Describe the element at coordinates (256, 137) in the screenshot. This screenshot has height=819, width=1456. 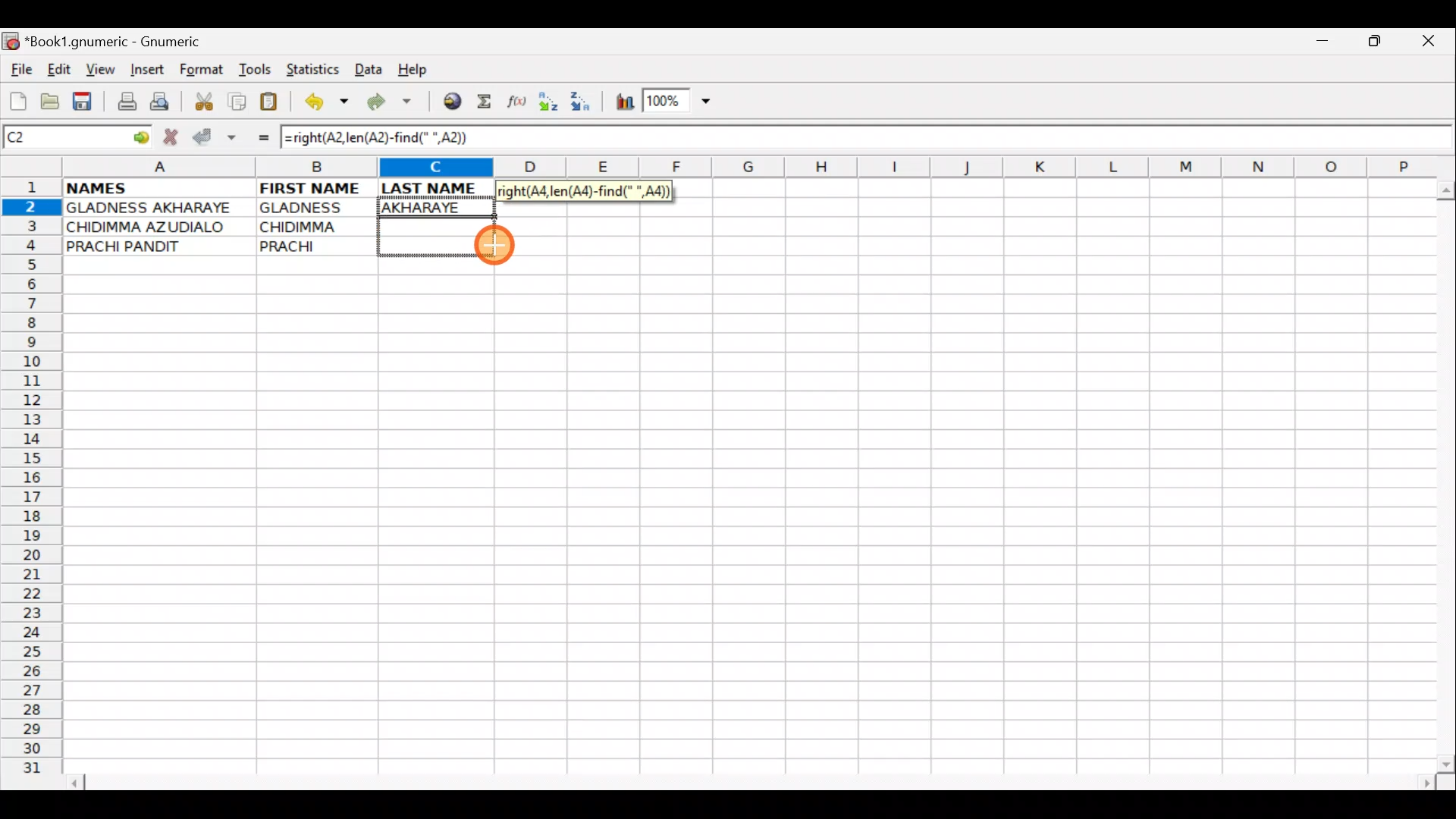
I see `Enter formula` at that location.